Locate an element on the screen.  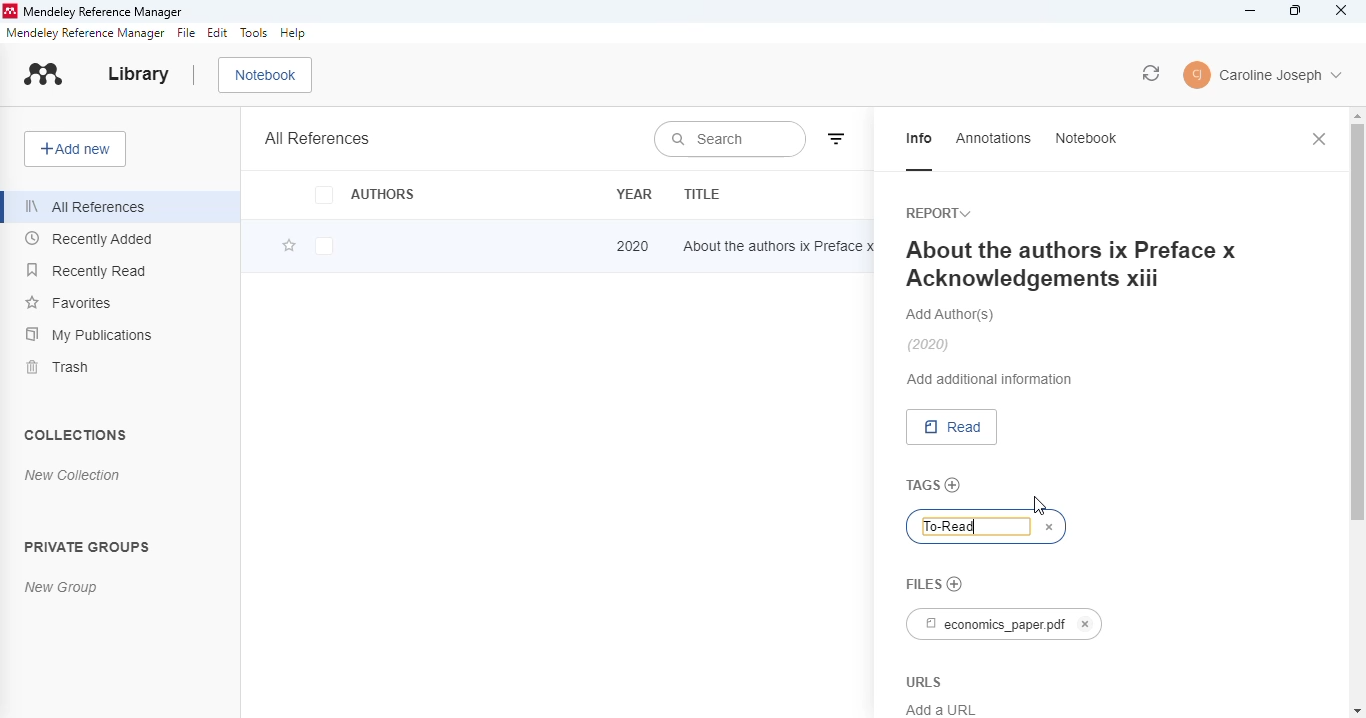
about the authors ix Preface x Acknowledgements xiii is located at coordinates (782, 245).